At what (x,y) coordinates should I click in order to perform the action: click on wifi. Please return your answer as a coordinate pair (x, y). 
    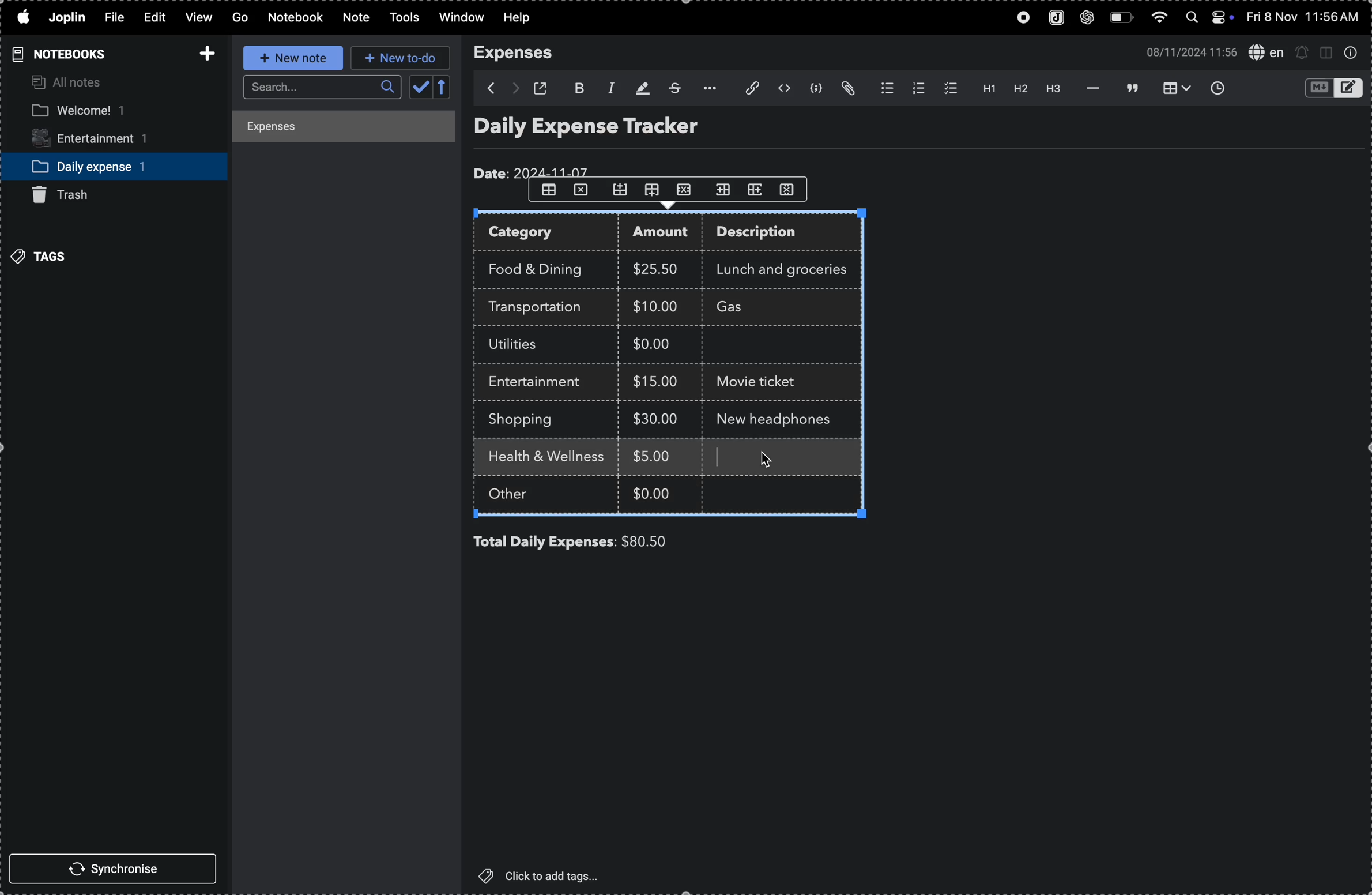
    Looking at the image, I should click on (1158, 20).